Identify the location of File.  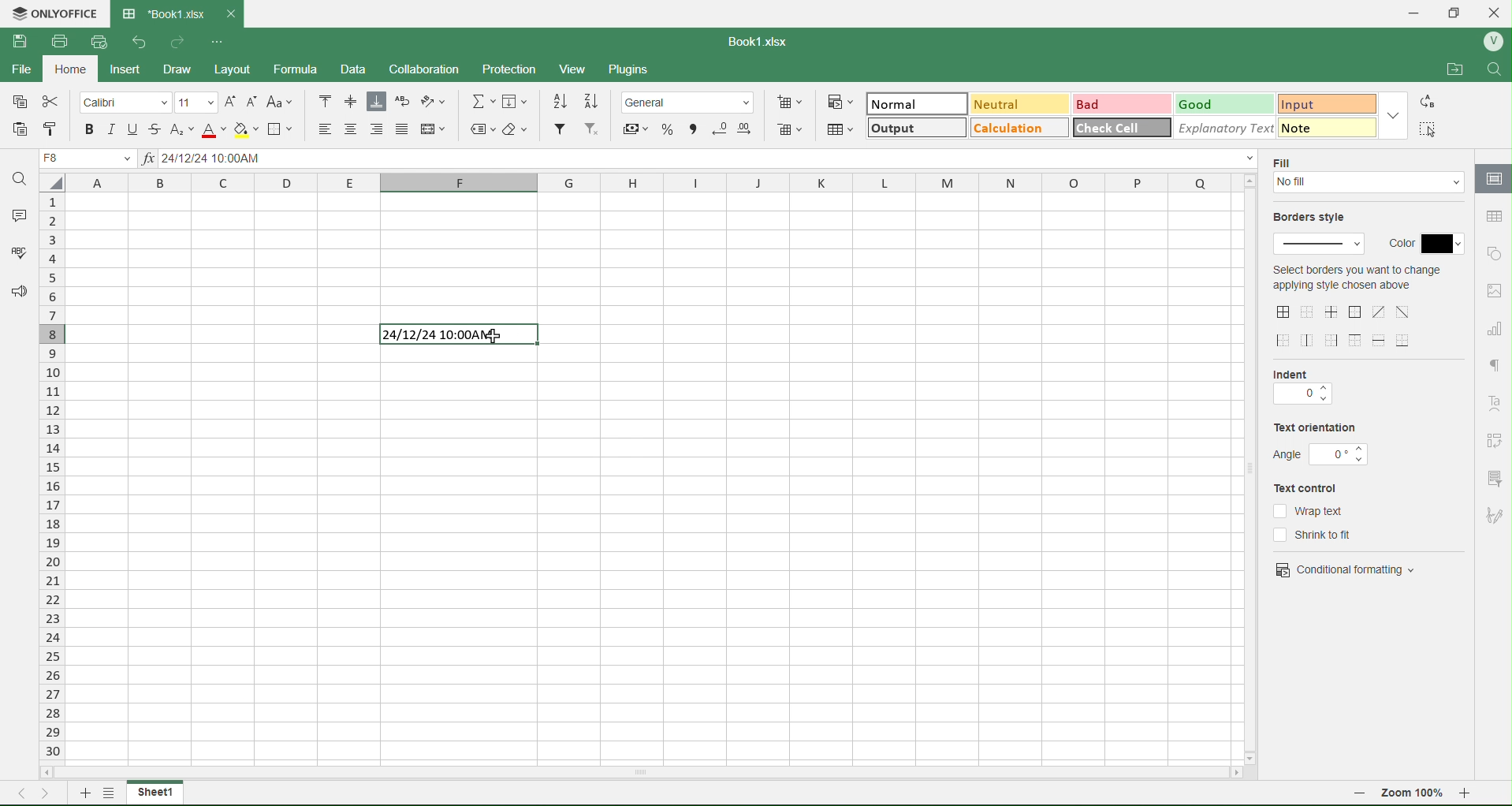
(24, 73).